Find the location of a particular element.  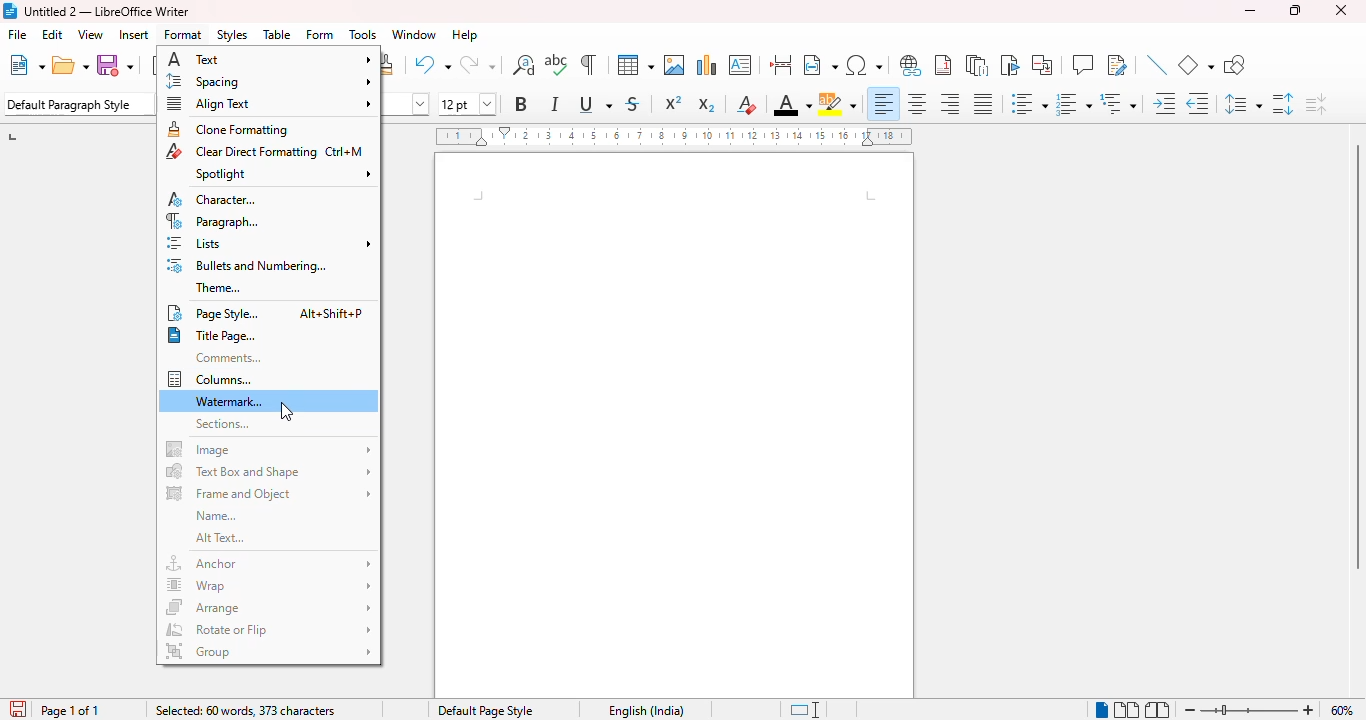

lists is located at coordinates (270, 243).